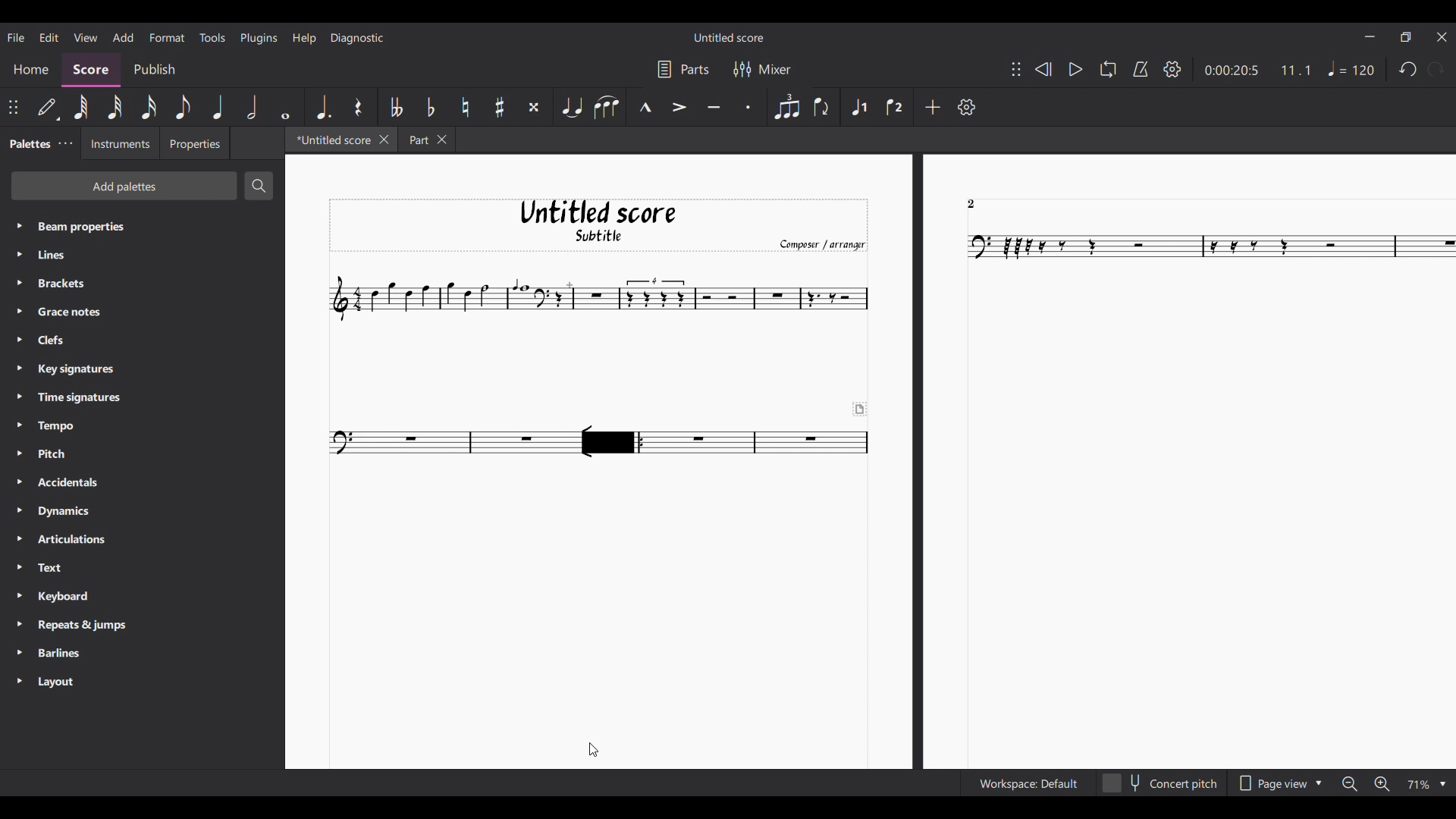 Image resolution: width=1456 pixels, height=819 pixels. What do you see at coordinates (394, 107) in the screenshot?
I see `Toggle double flat` at bounding box center [394, 107].